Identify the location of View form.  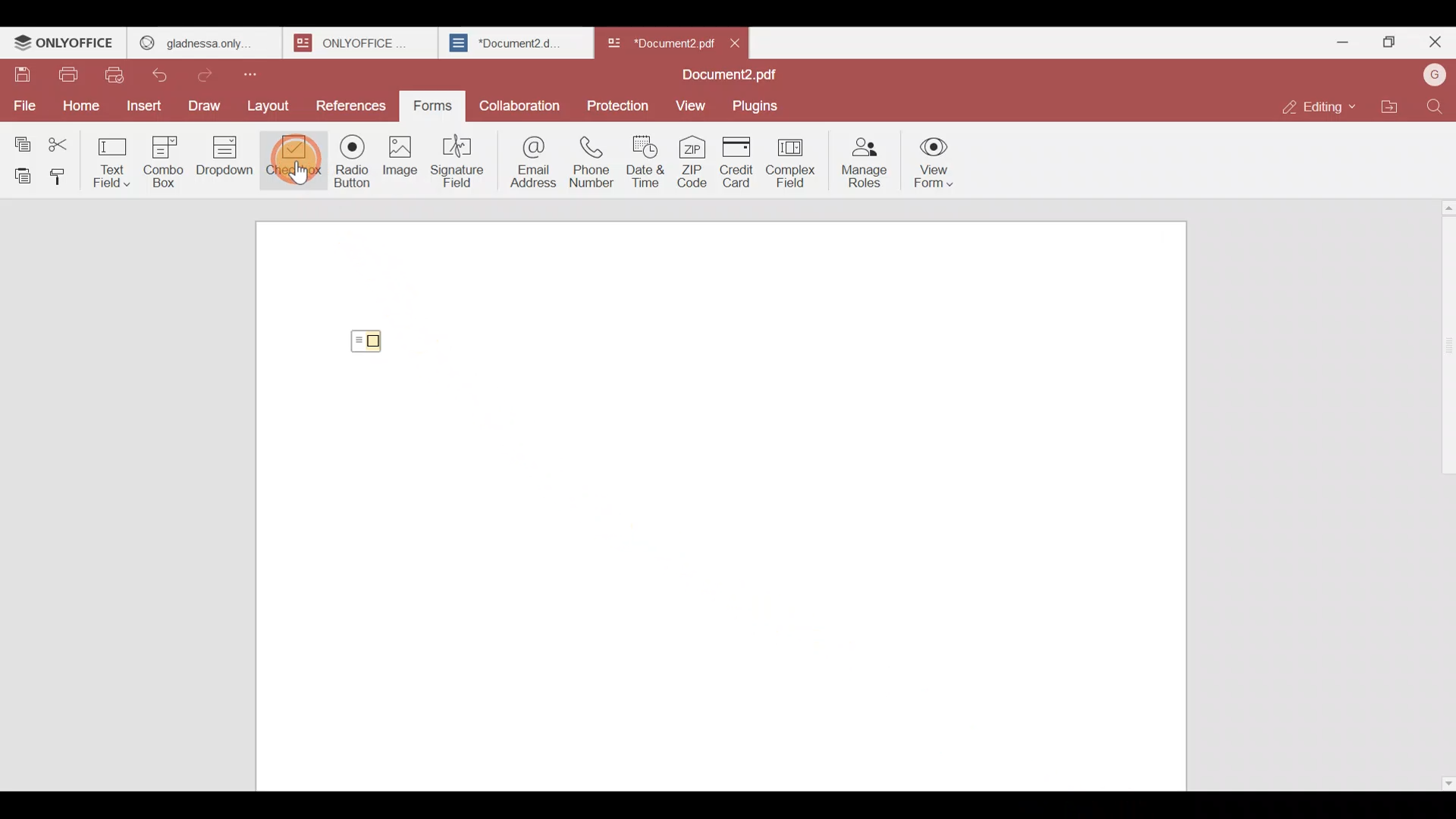
(936, 163).